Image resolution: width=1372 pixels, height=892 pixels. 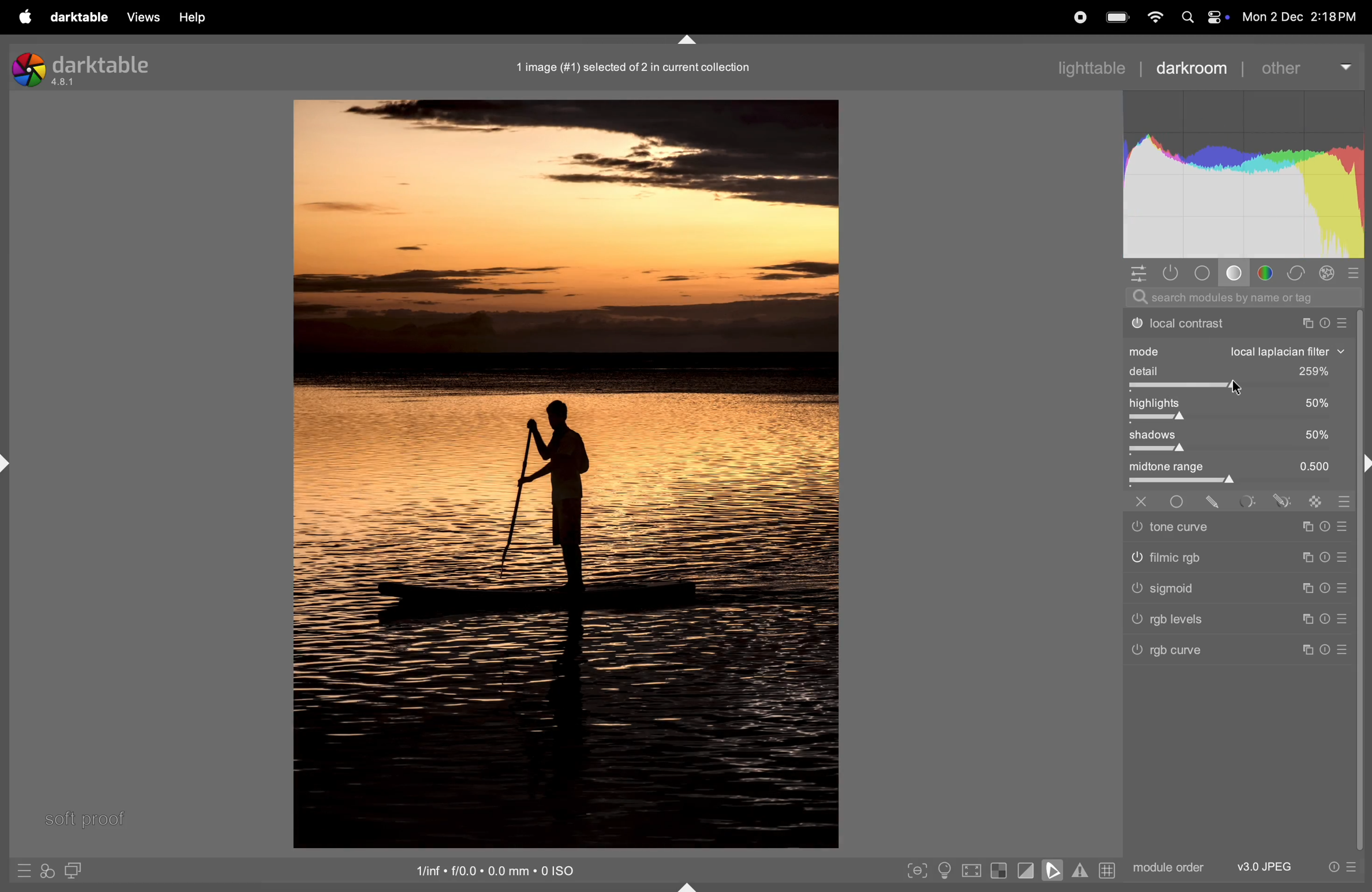 What do you see at coordinates (1238, 297) in the screenshot?
I see `search bar` at bounding box center [1238, 297].